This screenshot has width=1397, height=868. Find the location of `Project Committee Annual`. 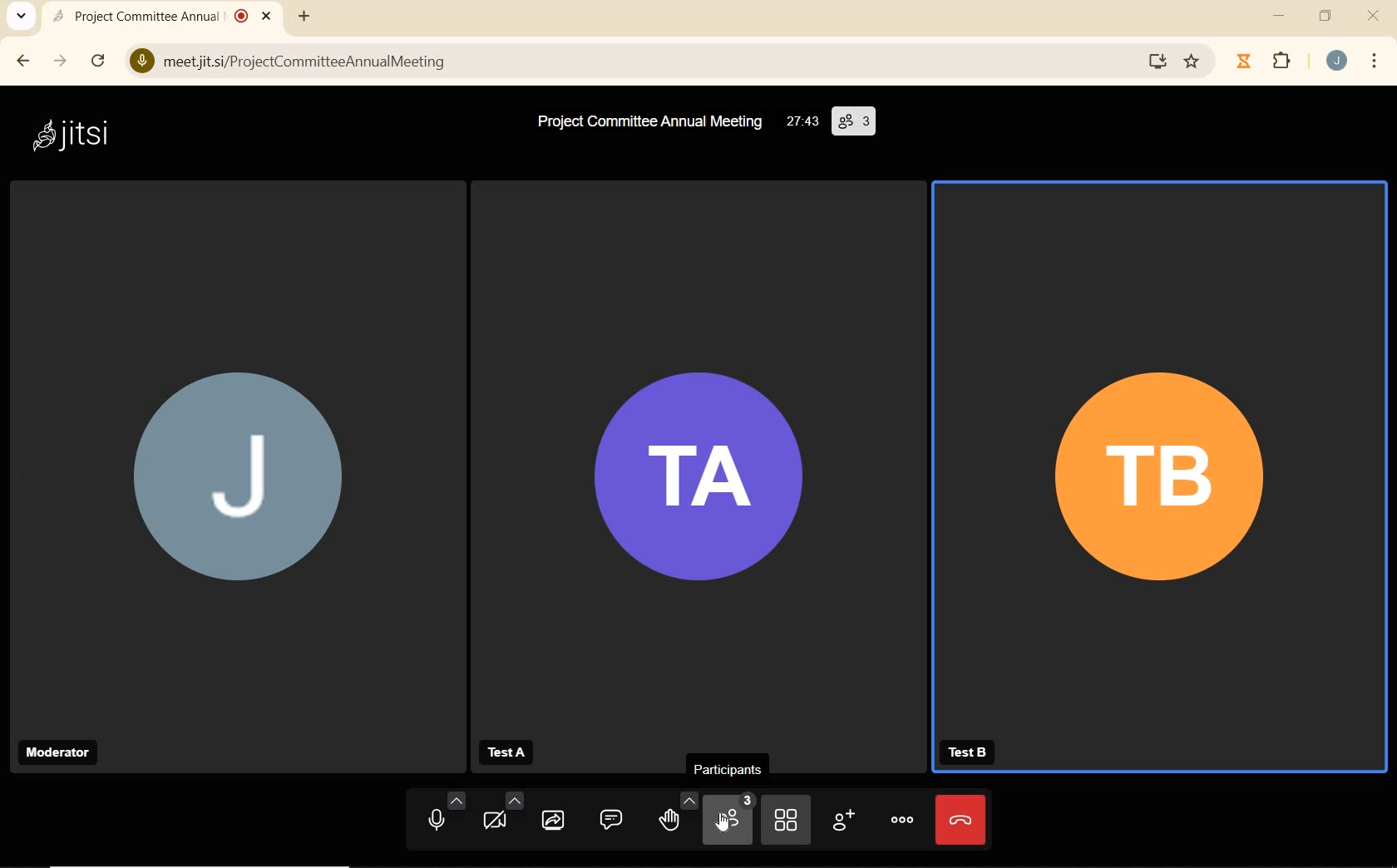

Project Committee Annual is located at coordinates (136, 15).